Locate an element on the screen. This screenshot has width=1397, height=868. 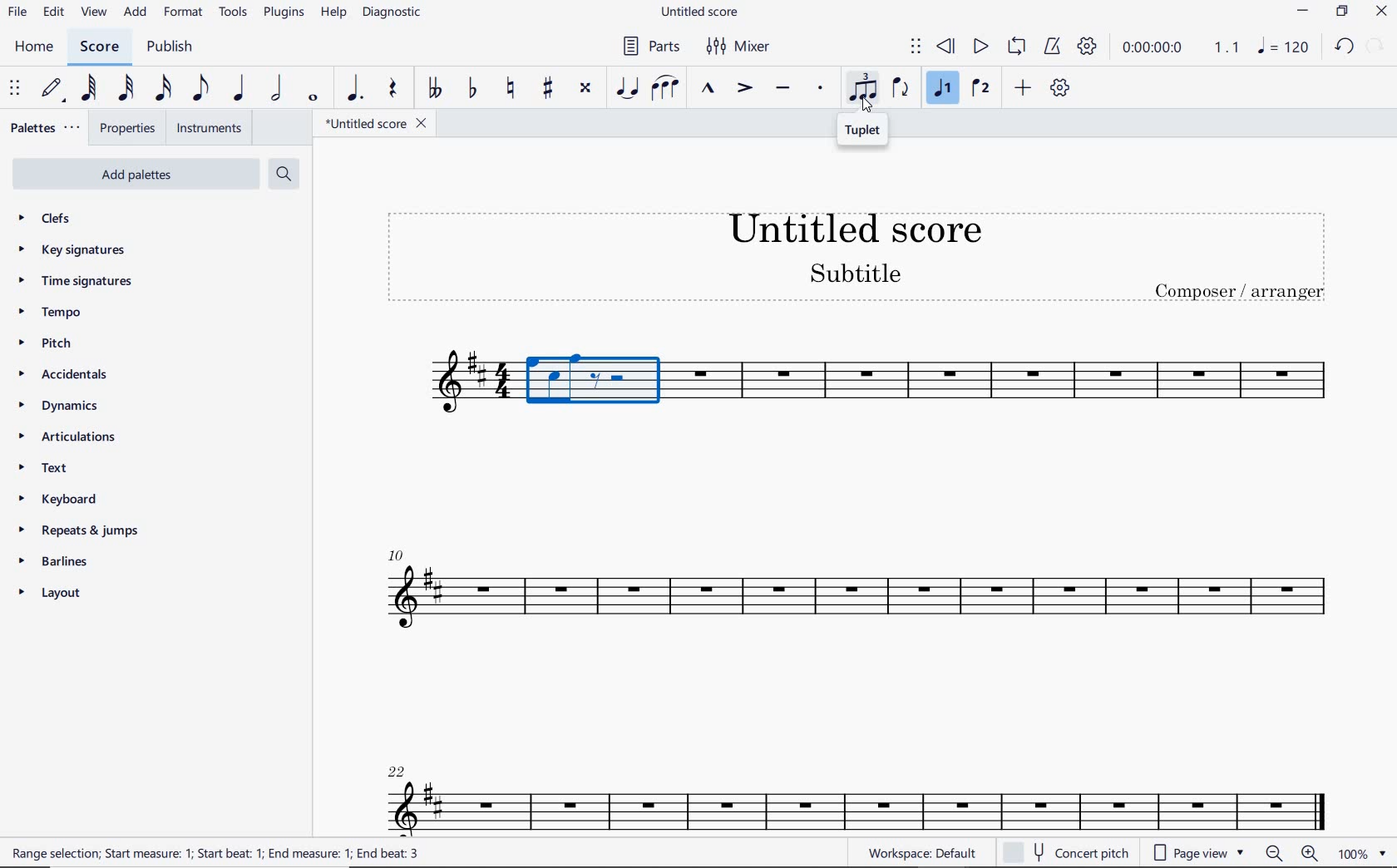
VIEW is located at coordinates (93, 13).